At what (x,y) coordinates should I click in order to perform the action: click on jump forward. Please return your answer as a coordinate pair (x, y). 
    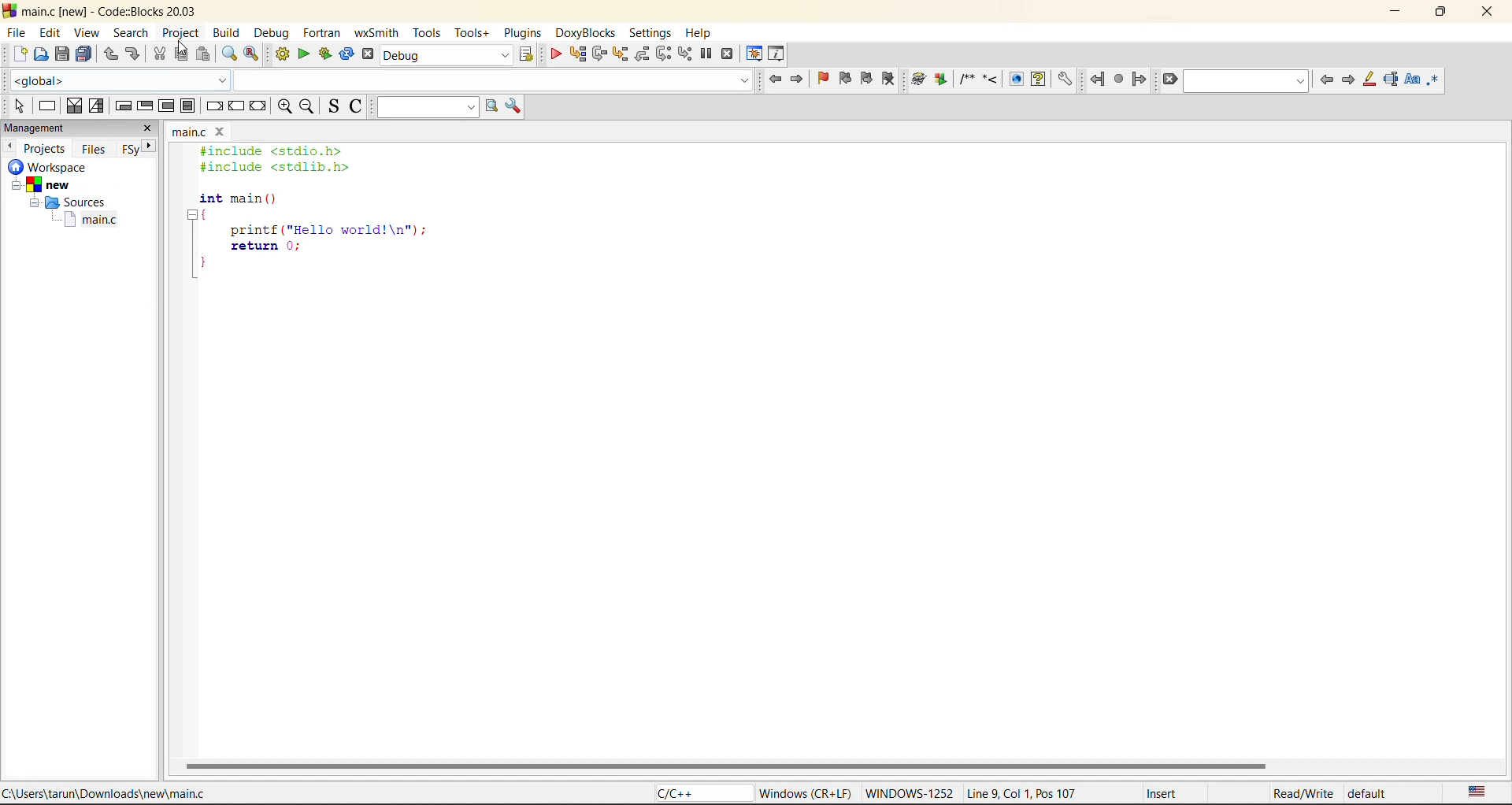
    Looking at the image, I should click on (1139, 79).